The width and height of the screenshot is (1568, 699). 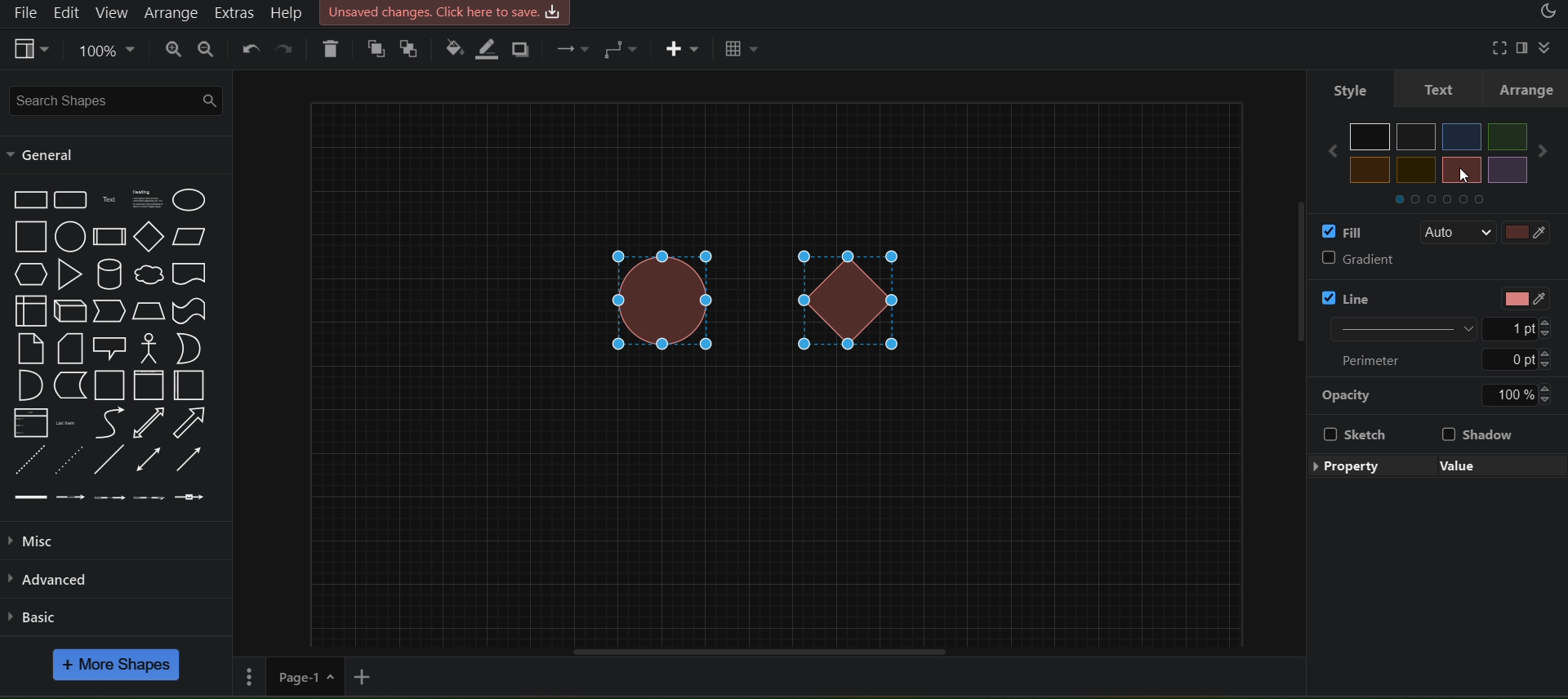 What do you see at coordinates (1351, 229) in the screenshot?
I see `fill ` at bounding box center [1351, 229].